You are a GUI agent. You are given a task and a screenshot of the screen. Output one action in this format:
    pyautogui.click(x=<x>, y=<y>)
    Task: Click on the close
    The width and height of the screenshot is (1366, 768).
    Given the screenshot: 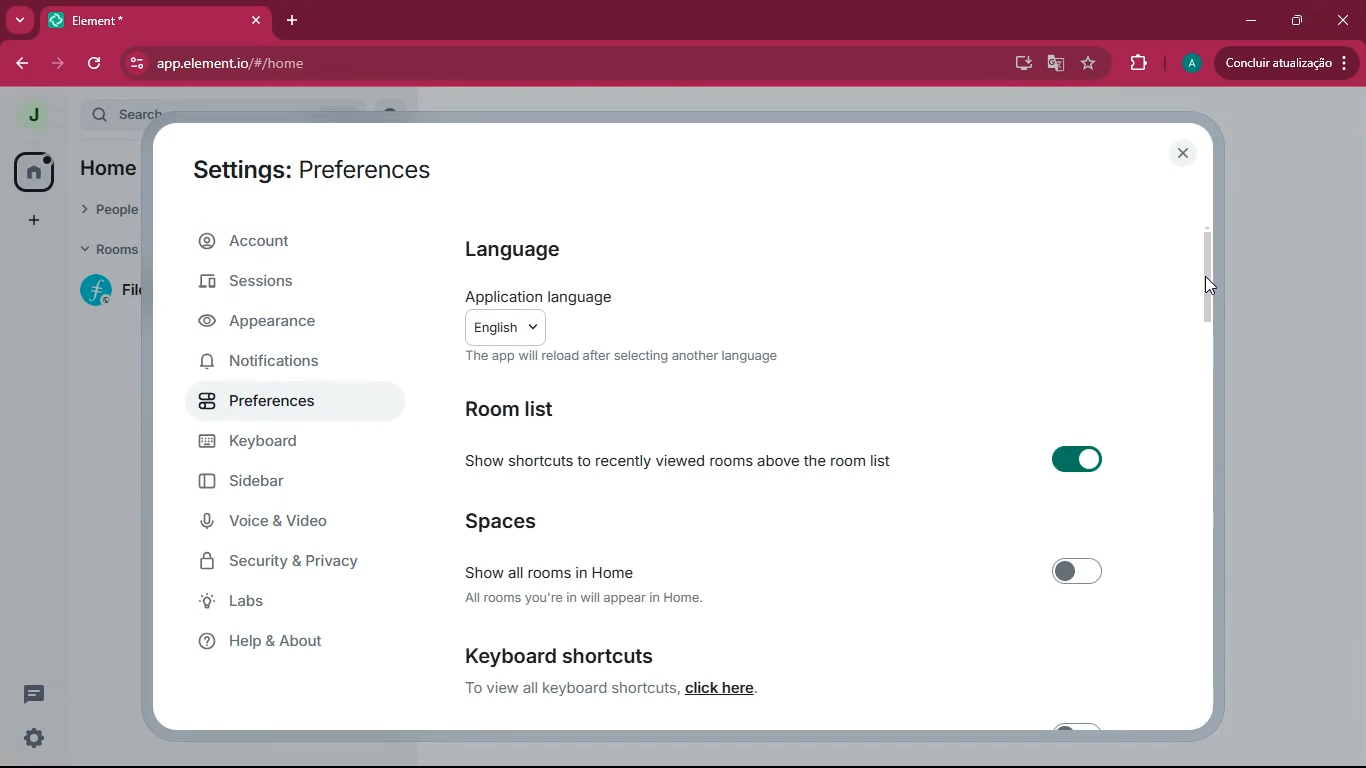 What is the action you would take?
    pyautogui.click(x=1341, y=20)
    